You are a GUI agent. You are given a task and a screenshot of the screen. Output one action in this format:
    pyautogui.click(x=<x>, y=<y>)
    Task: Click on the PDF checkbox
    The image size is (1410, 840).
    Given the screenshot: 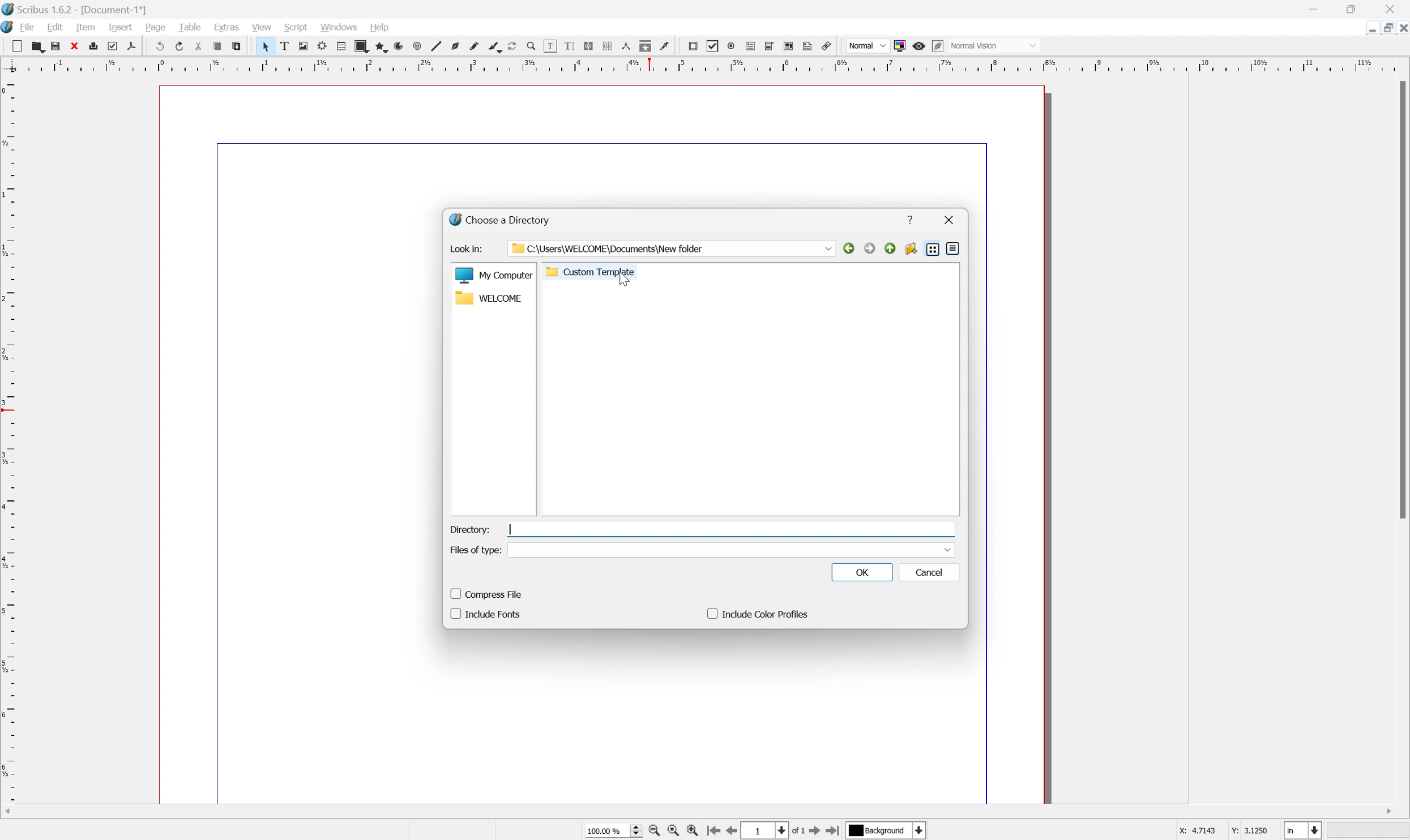 What is the action you would take?
    pyautogui.click(x=712, y=46)
    